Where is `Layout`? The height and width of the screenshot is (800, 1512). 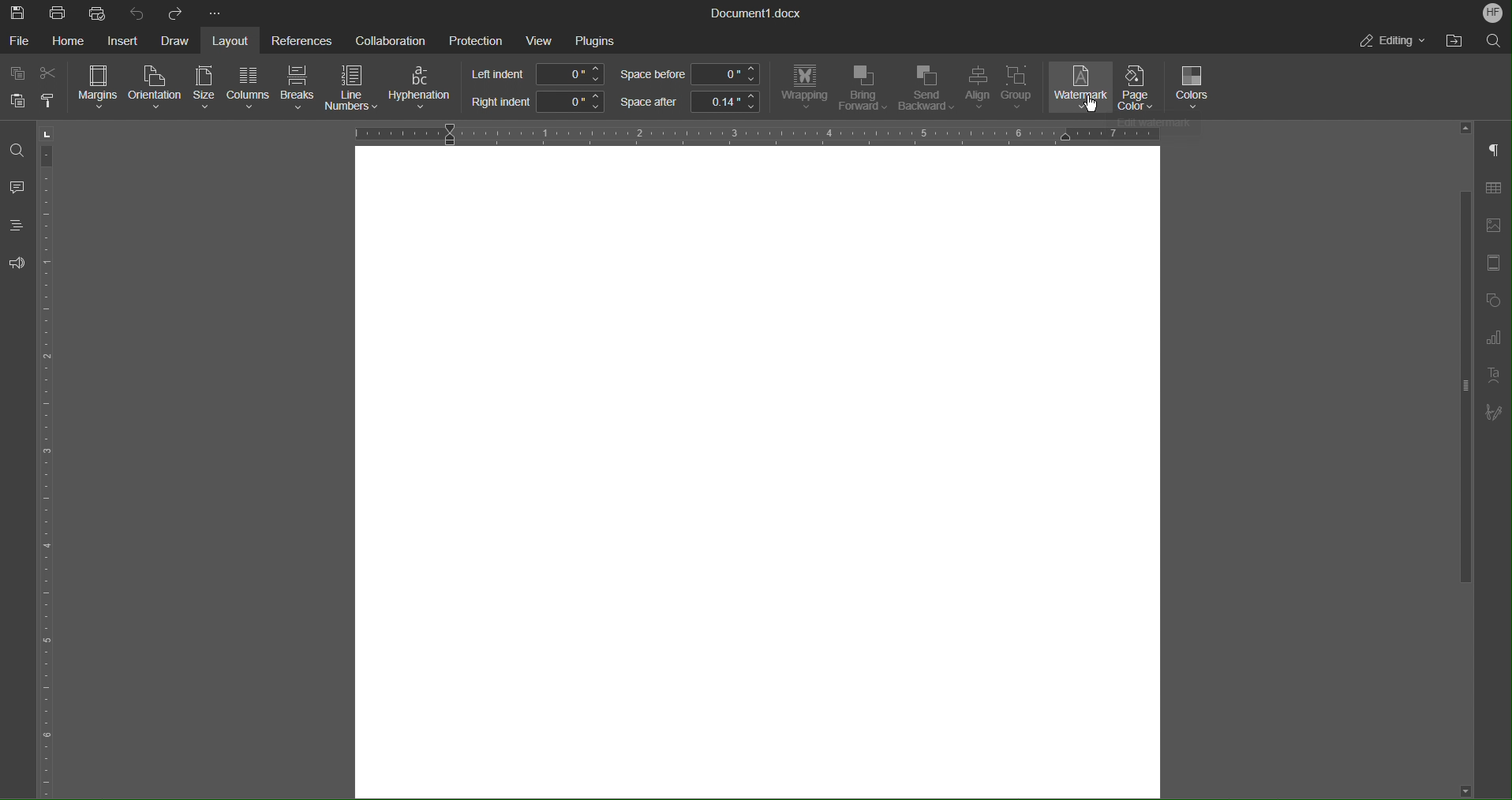
Layout is located at coordinates (234, 40).